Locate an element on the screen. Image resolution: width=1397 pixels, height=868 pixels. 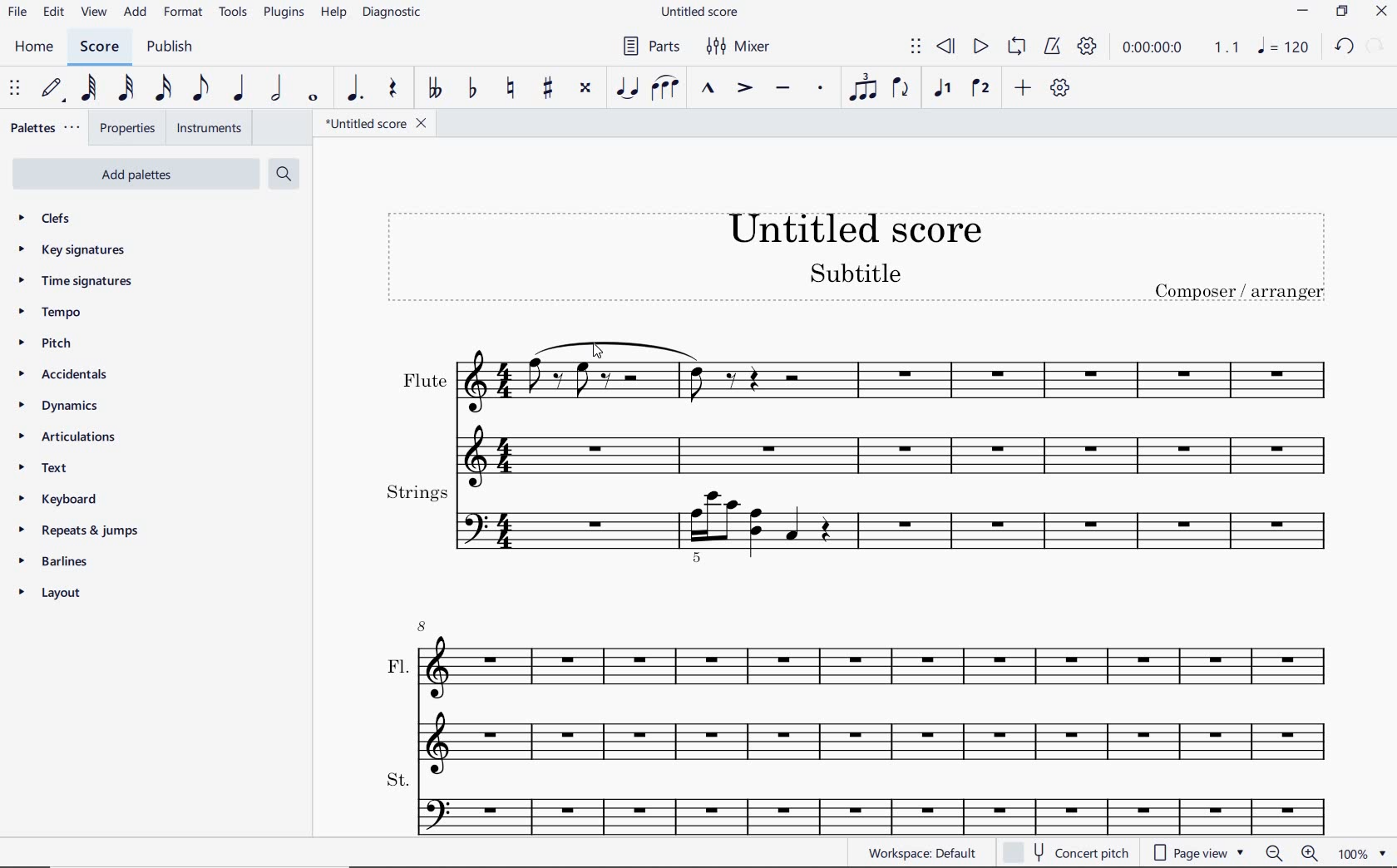
add is located at coordinates (136, 14).